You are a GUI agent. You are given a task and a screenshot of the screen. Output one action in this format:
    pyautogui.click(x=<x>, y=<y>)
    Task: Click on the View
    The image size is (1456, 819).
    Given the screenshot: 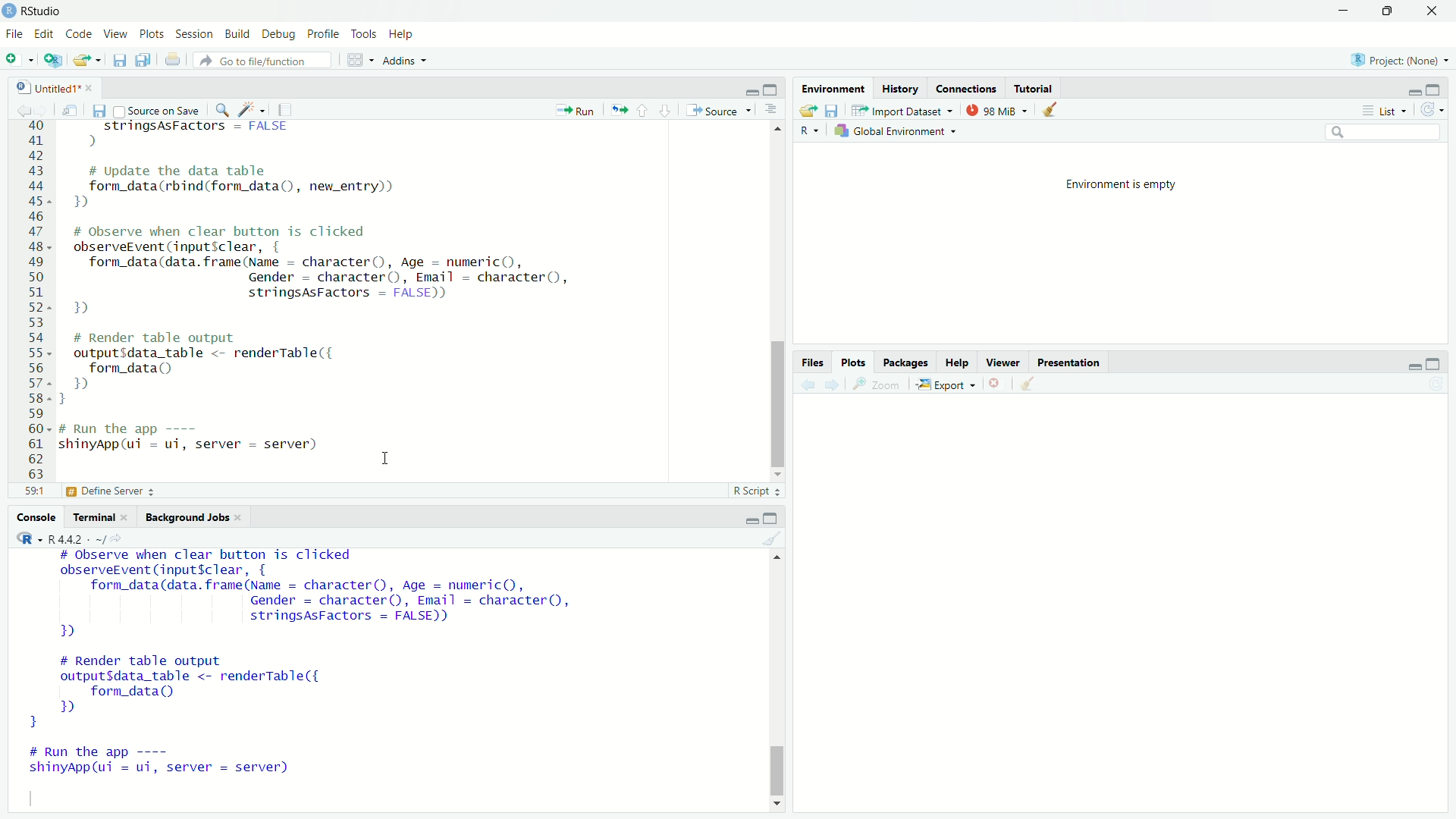 What is the action you would take?
    pyautogui.click(x=118, y=35)
    